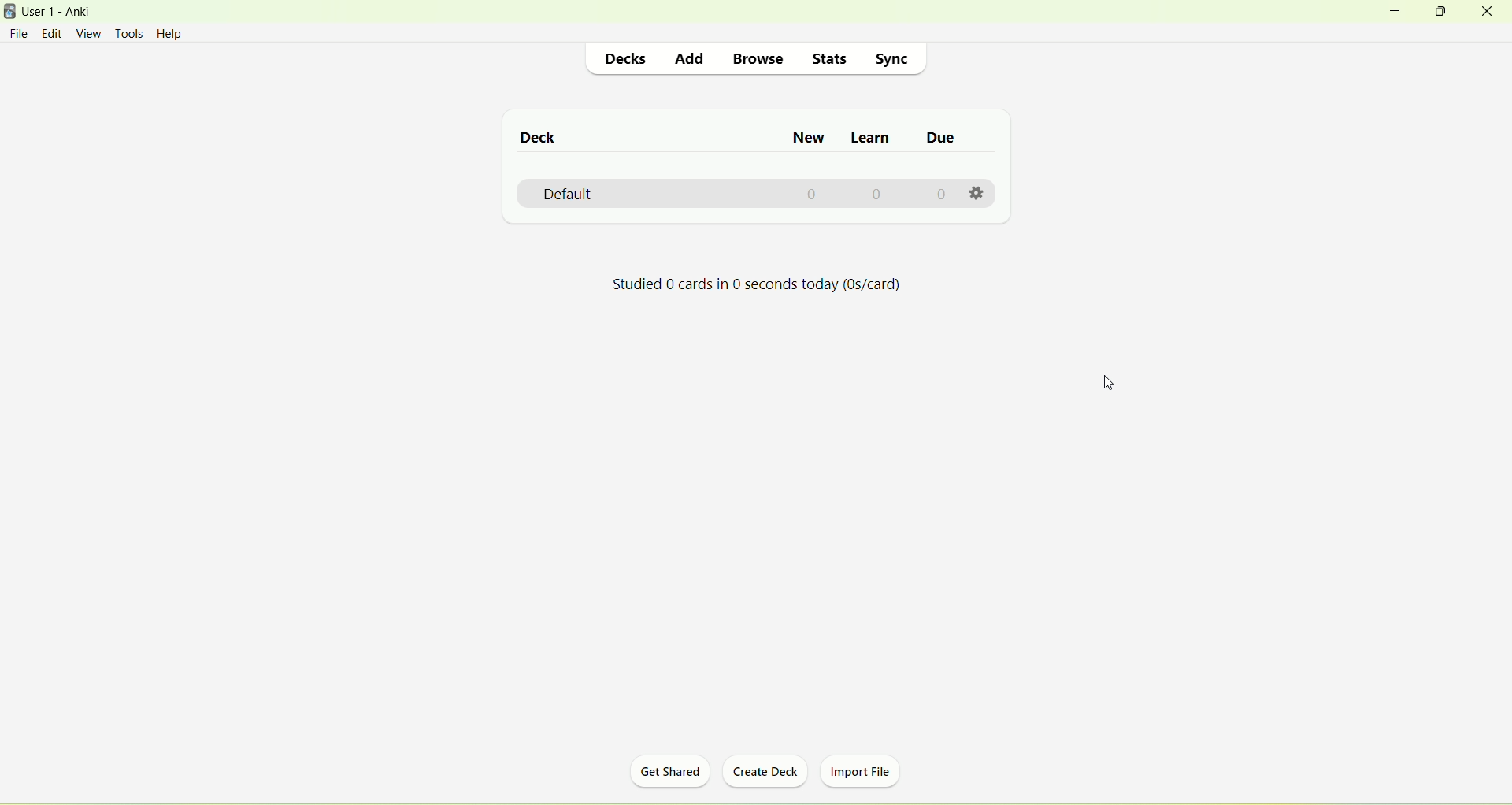  Describe the element at coordinates (731, 195) in the screenshot. I see `default` at that location.